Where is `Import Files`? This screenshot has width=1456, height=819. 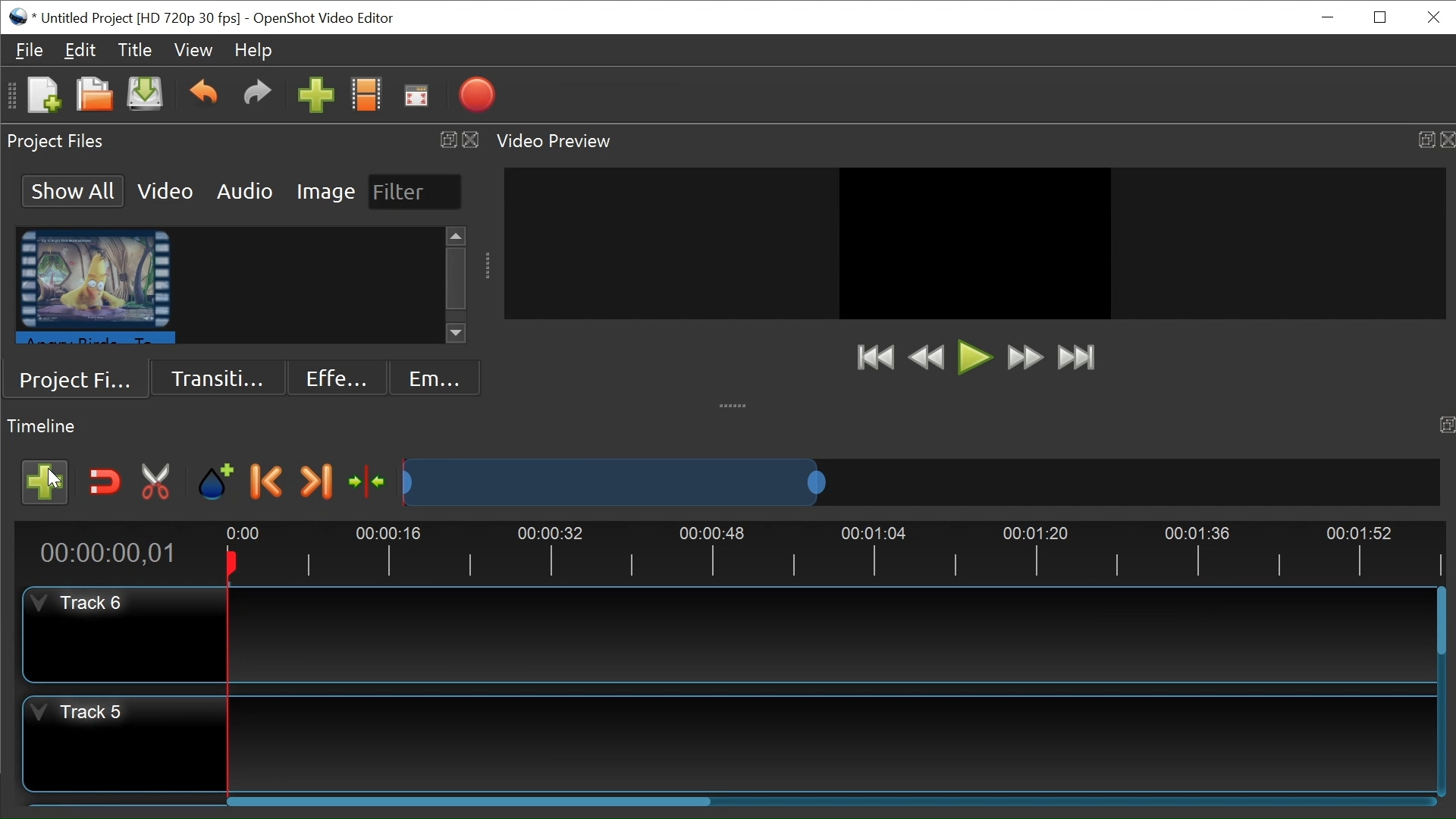 Import Files is located at coordinates (315, 93).